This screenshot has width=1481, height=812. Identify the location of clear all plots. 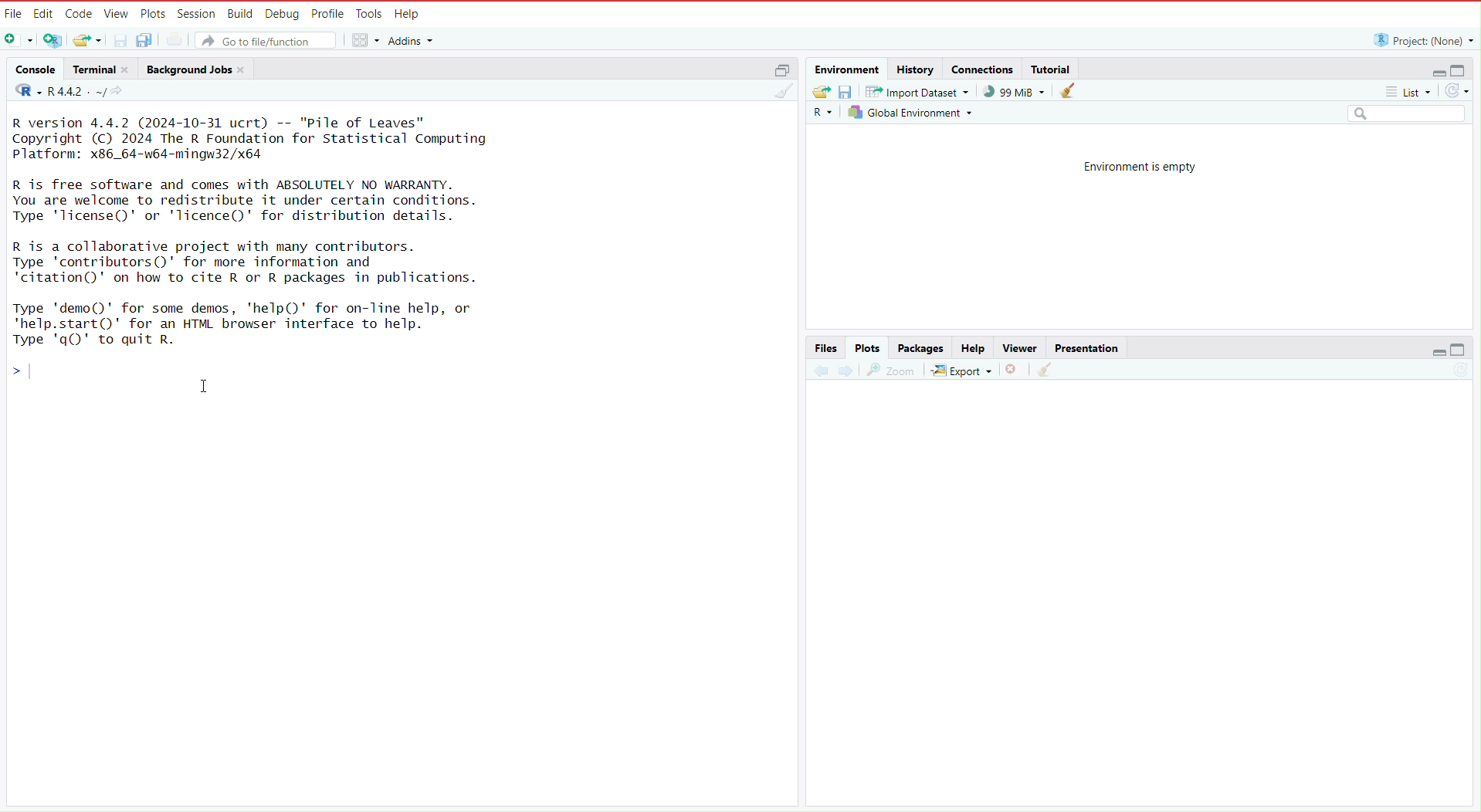
(1043, 372).